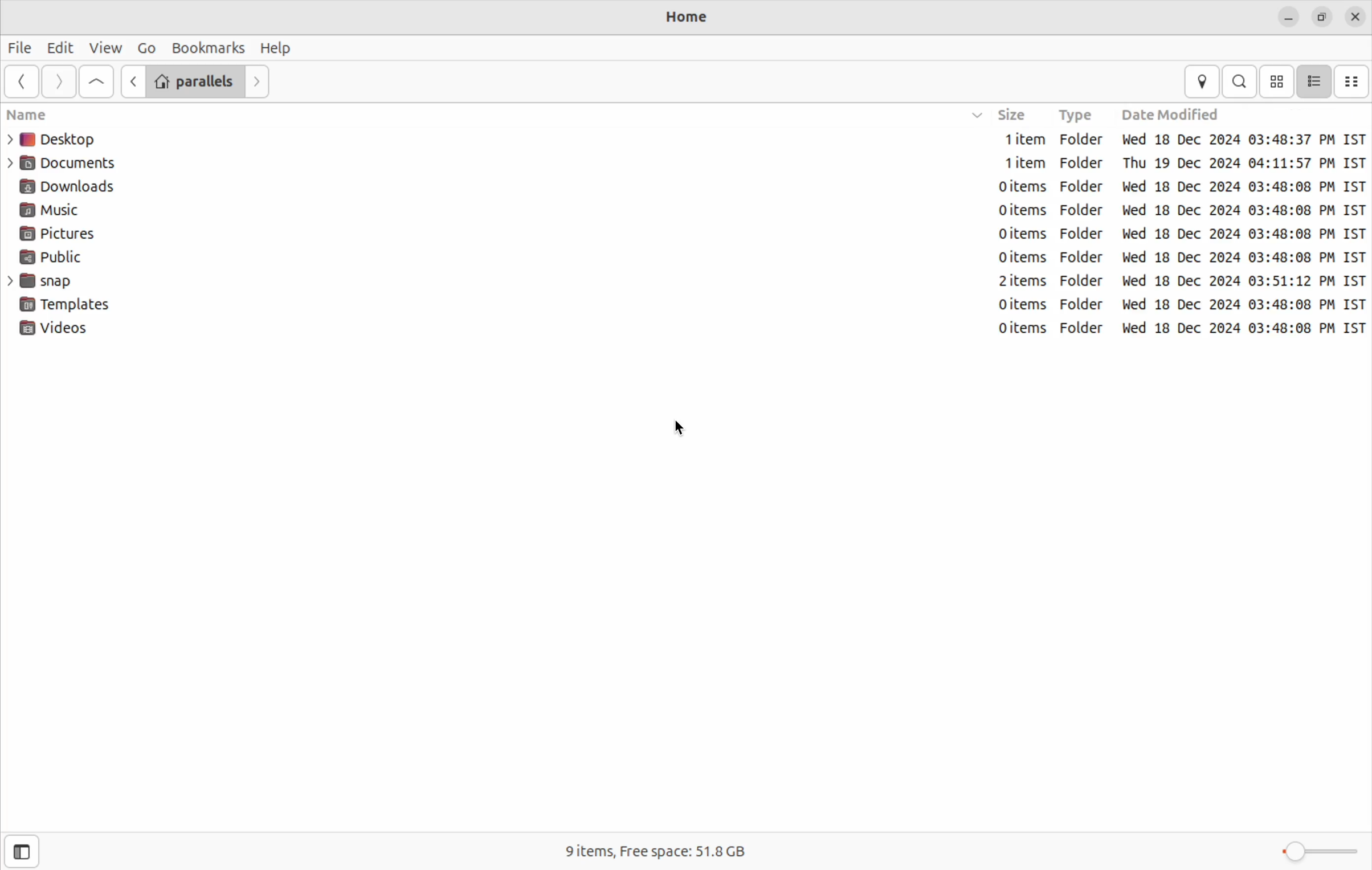 This screenshot has width=1372, height=870. I want to click on Go next, so click(57, 82).